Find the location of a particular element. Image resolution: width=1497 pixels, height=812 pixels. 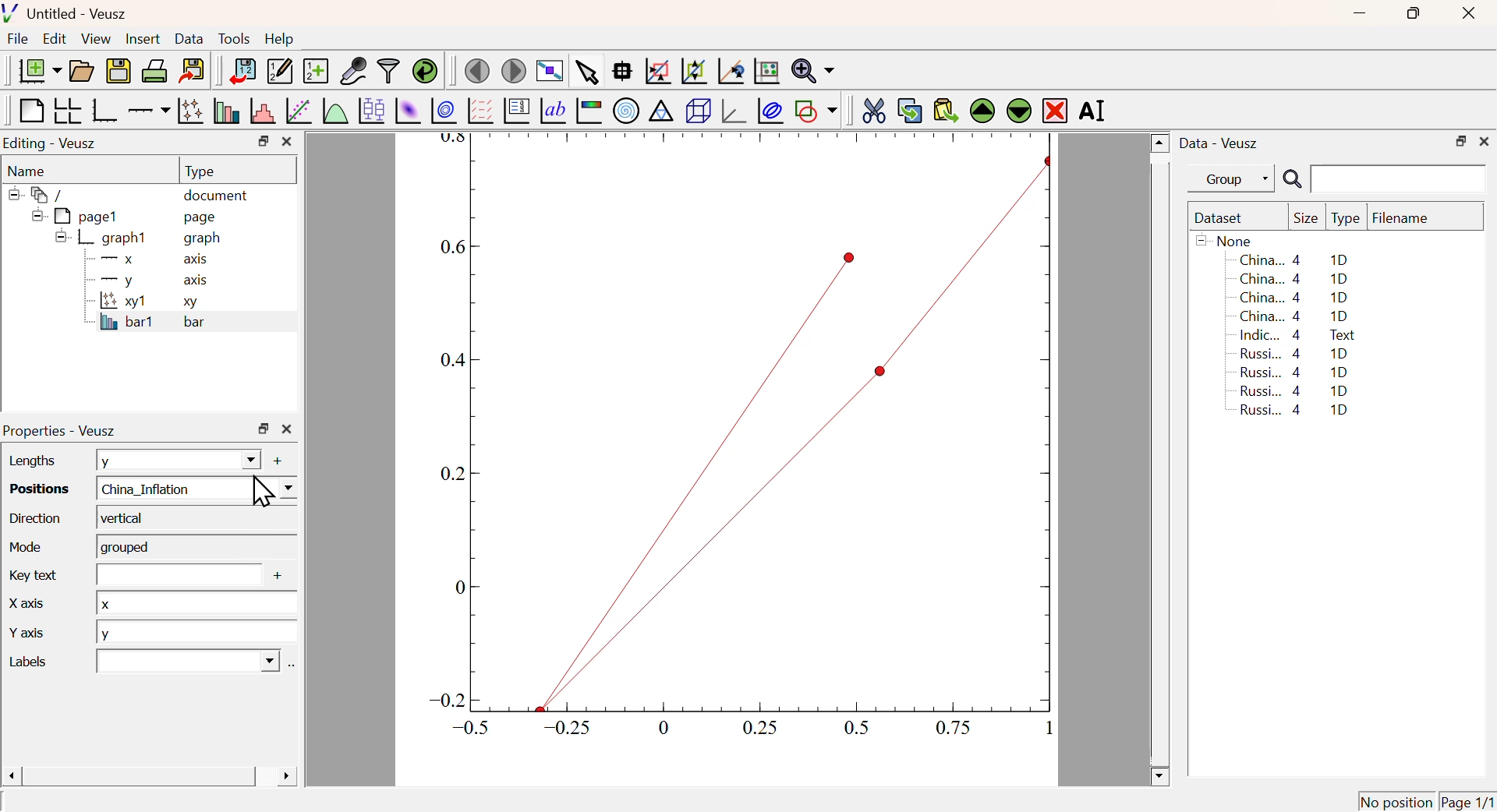

Import Data is located at coordinates (242, 71).